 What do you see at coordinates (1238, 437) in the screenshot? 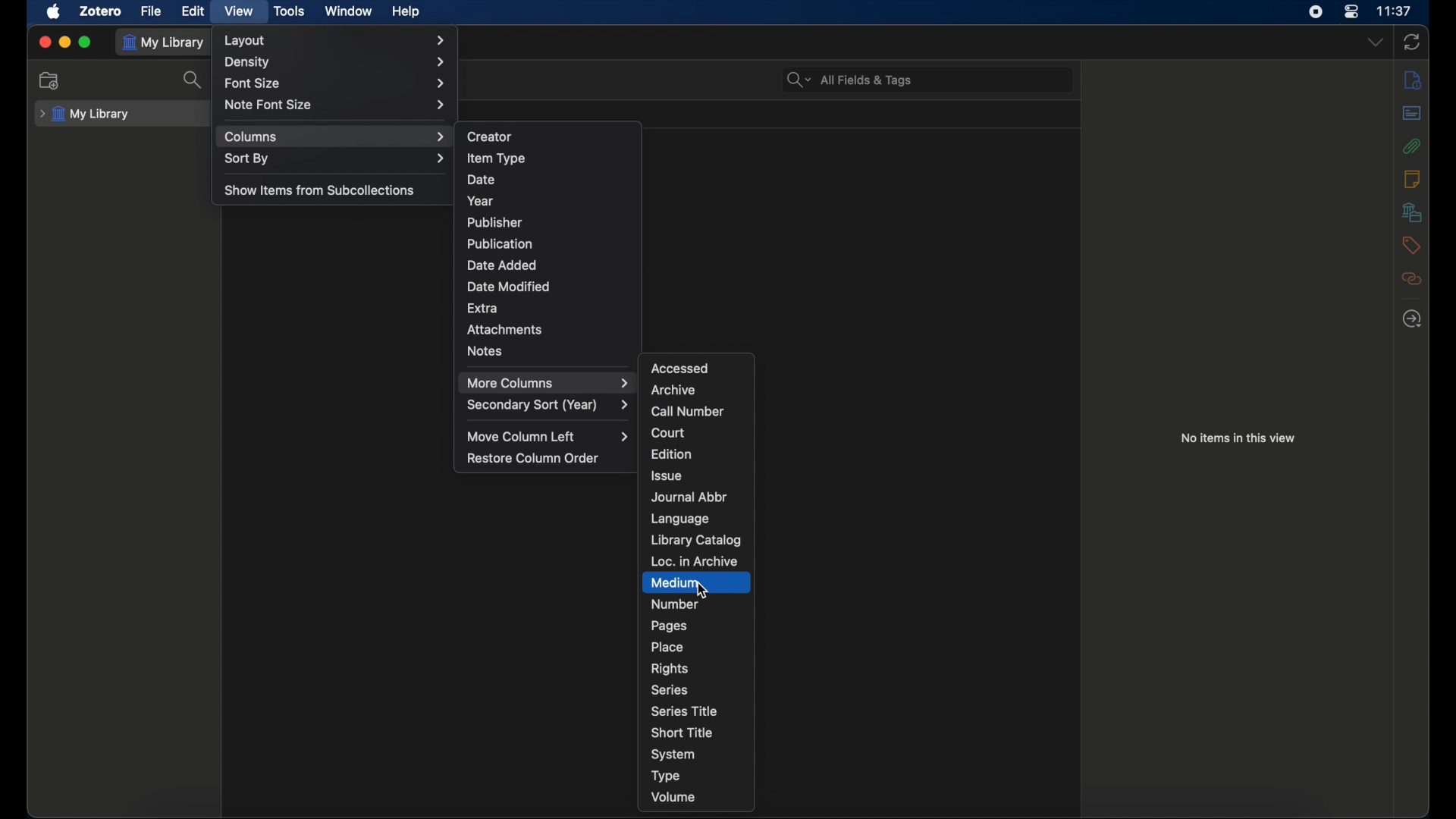
I see `no items in this view` at bounding box center [1238, 437].